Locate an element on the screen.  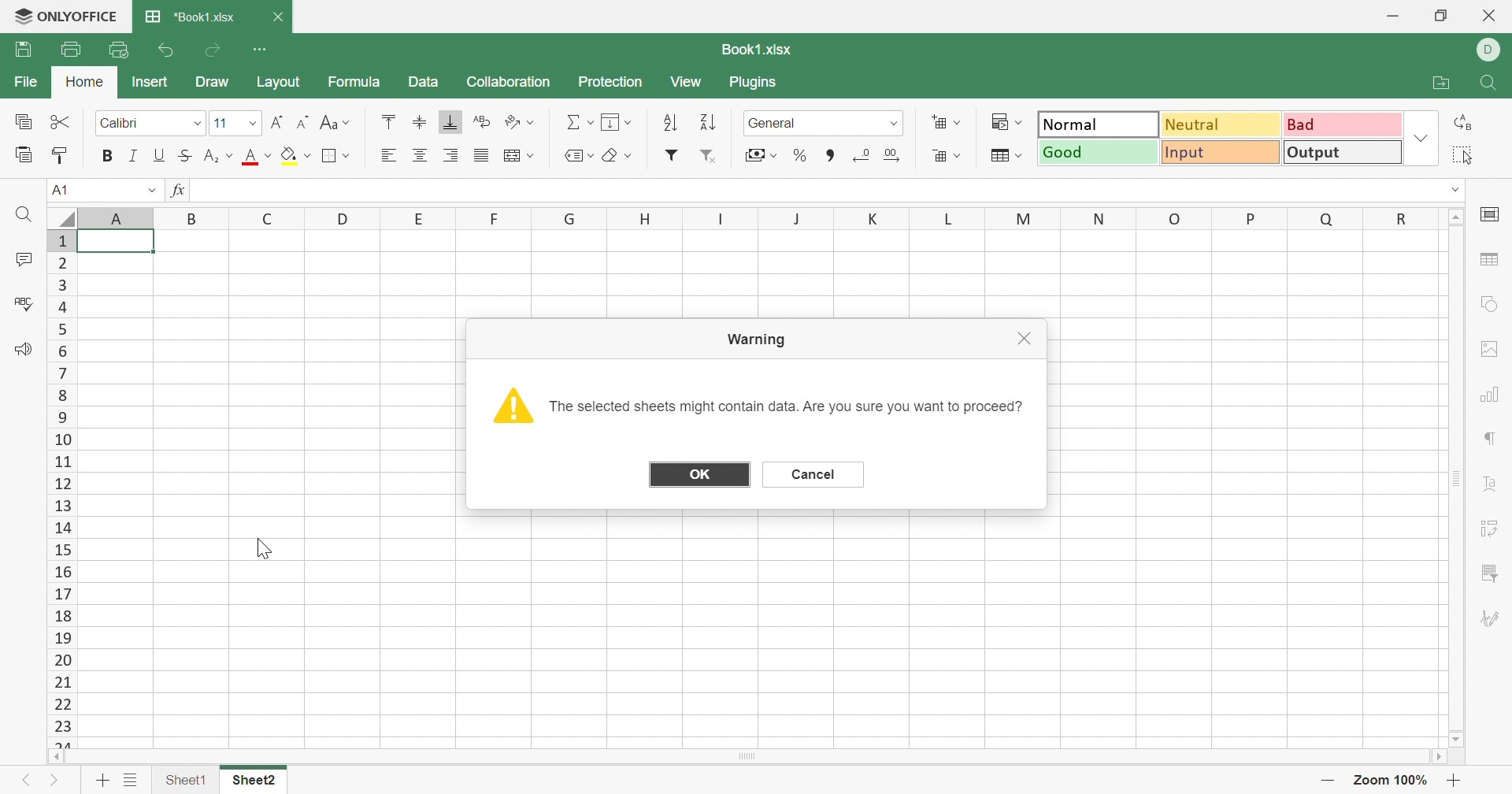
image settings is located at coordinates (1494, 347).